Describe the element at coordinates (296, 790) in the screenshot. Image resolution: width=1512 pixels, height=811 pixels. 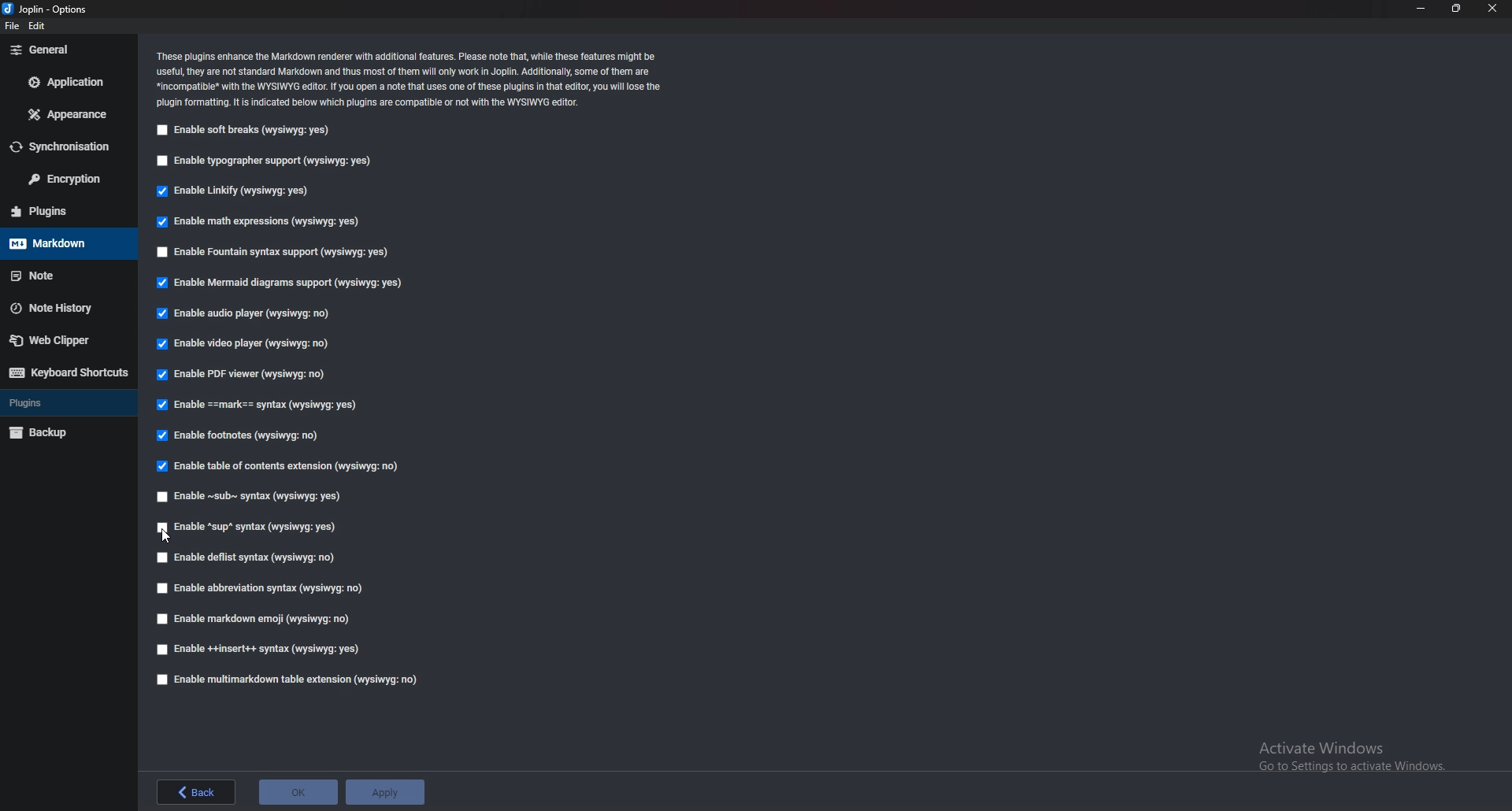
I see `ok` at that location.